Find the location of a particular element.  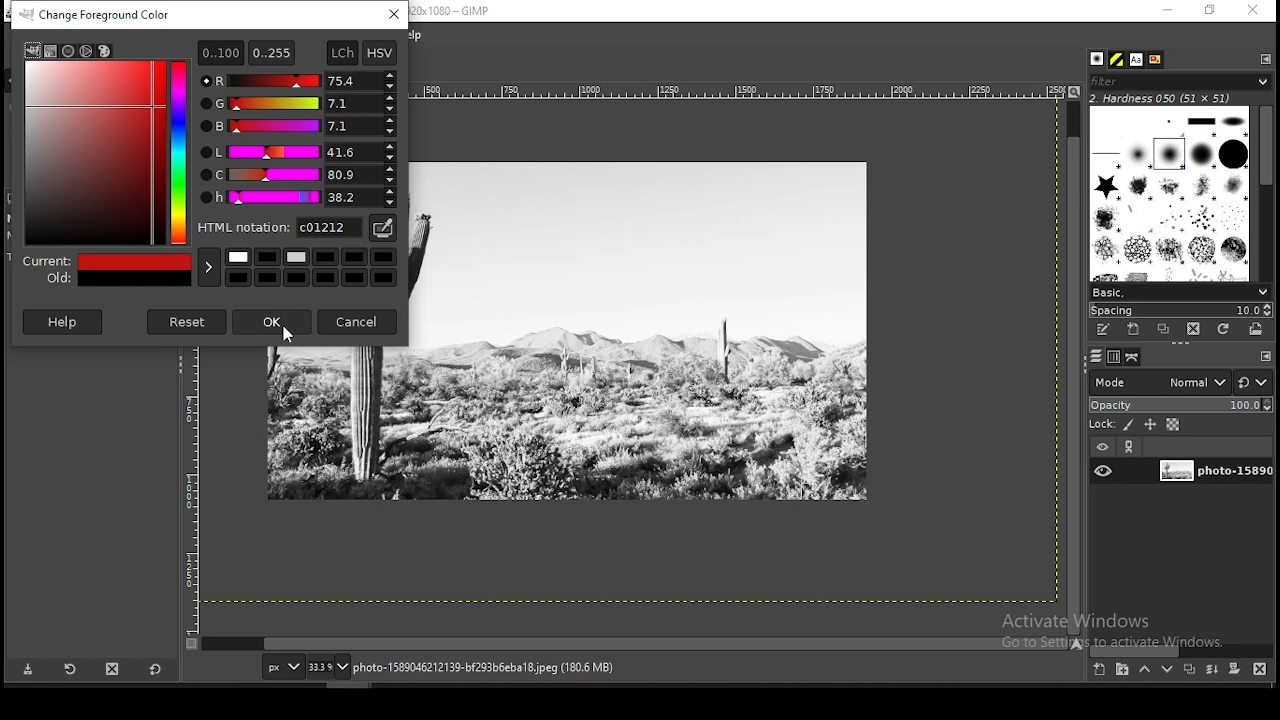

help is located at coordinates (64, 321).